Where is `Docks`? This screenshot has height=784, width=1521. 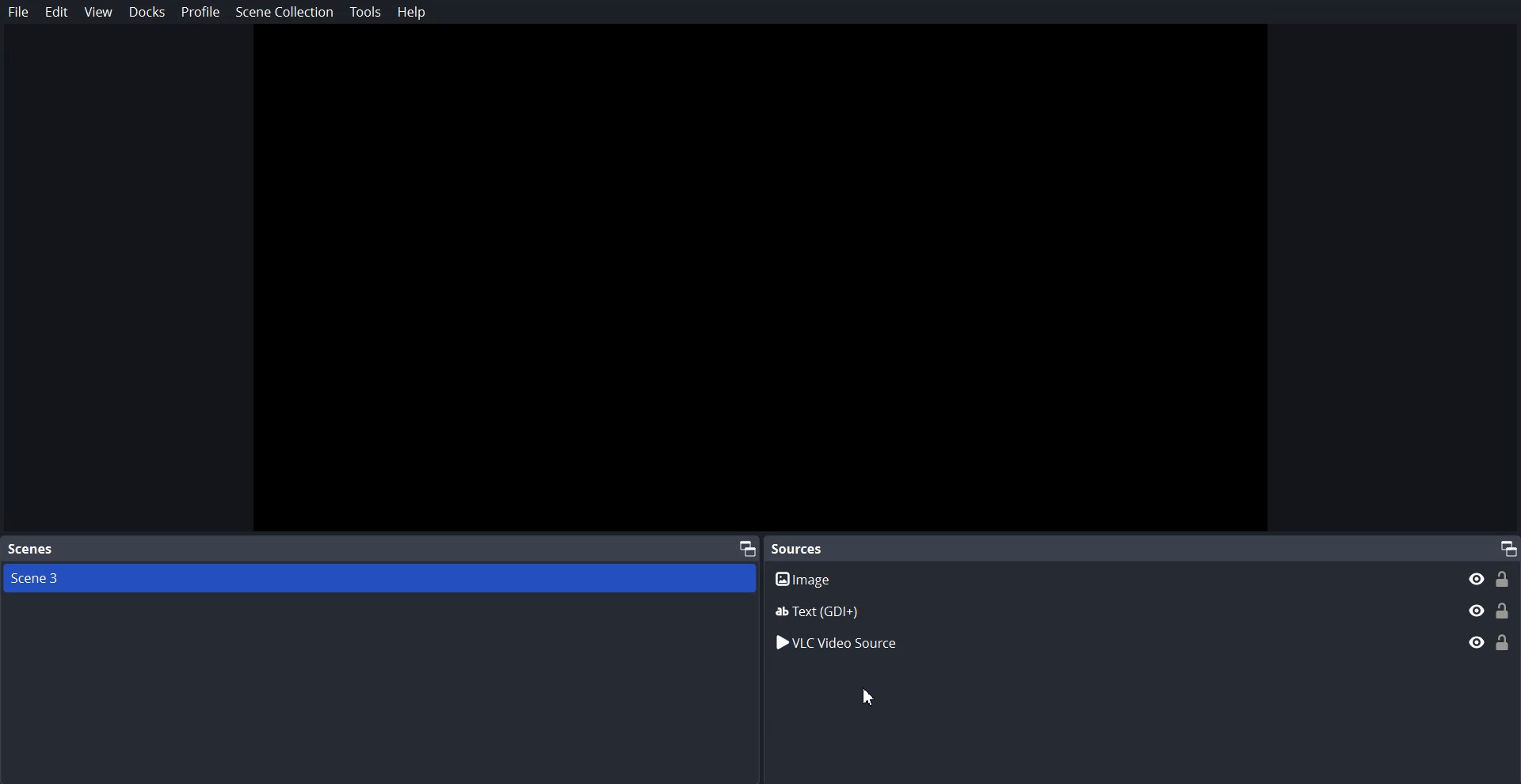 Docks is located at coordinates (147, 12).